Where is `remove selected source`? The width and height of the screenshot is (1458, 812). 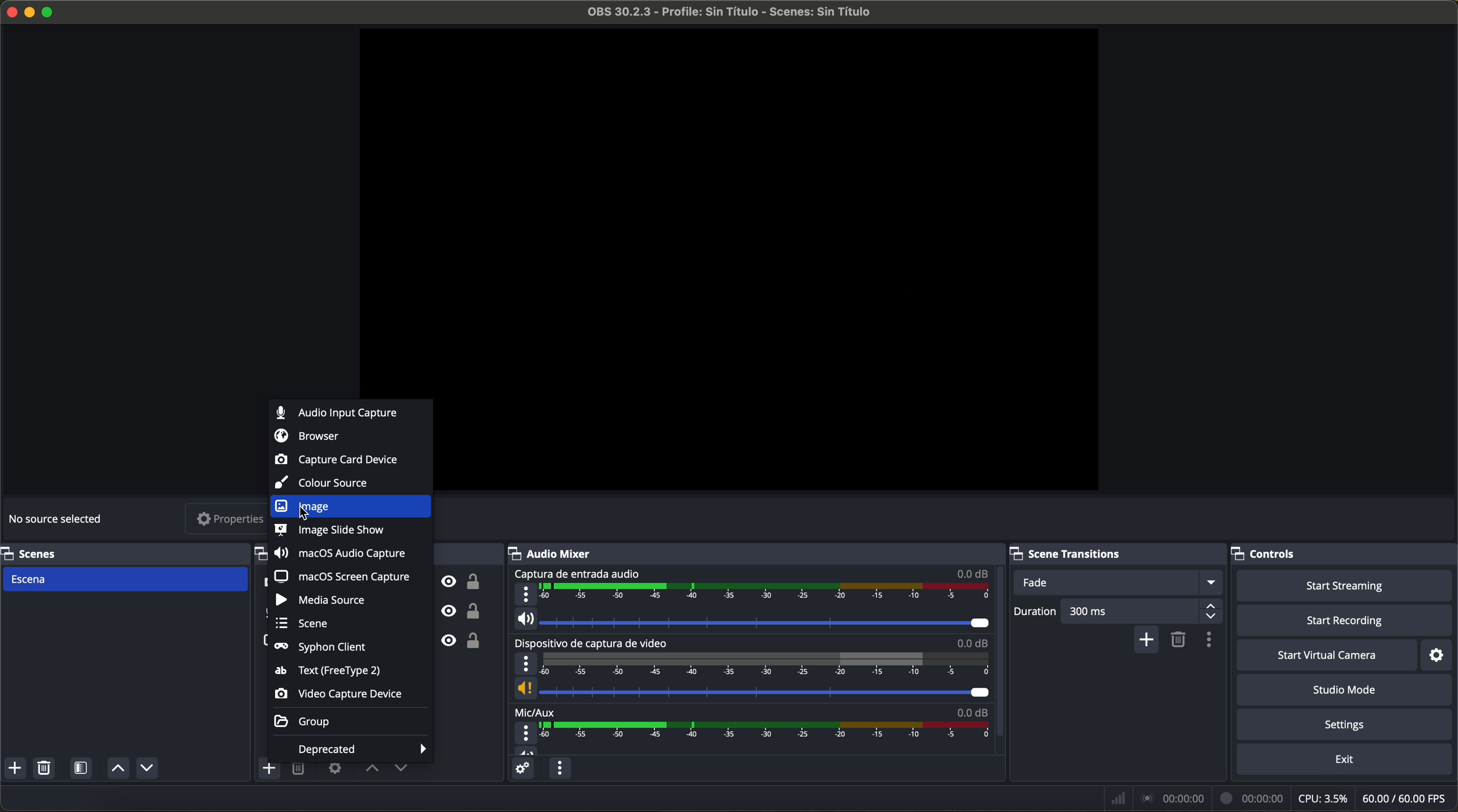 remove selected source is located at coordinates (301, 770).